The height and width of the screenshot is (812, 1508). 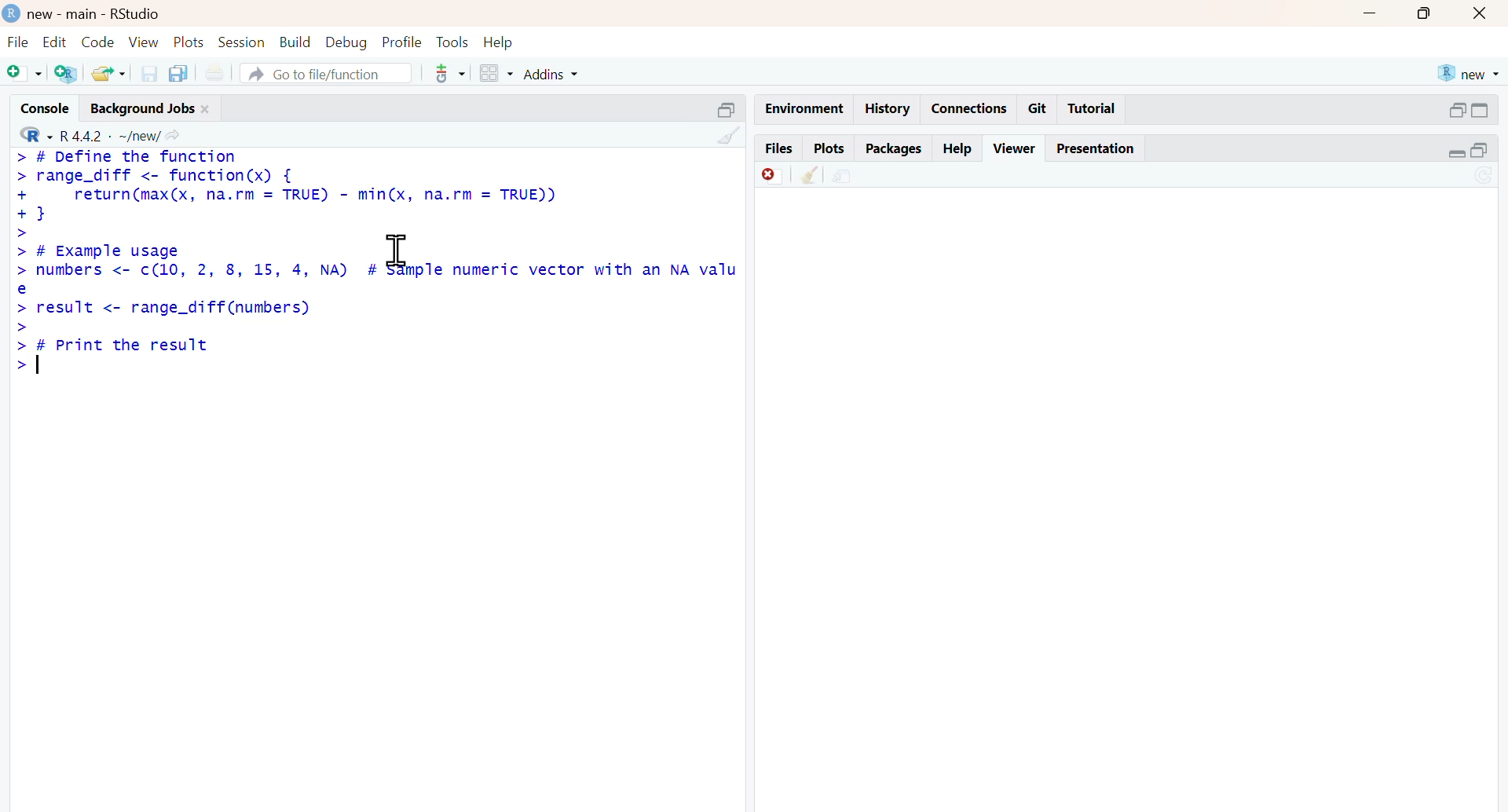 I want to click on code, so click(x=99, y=42).